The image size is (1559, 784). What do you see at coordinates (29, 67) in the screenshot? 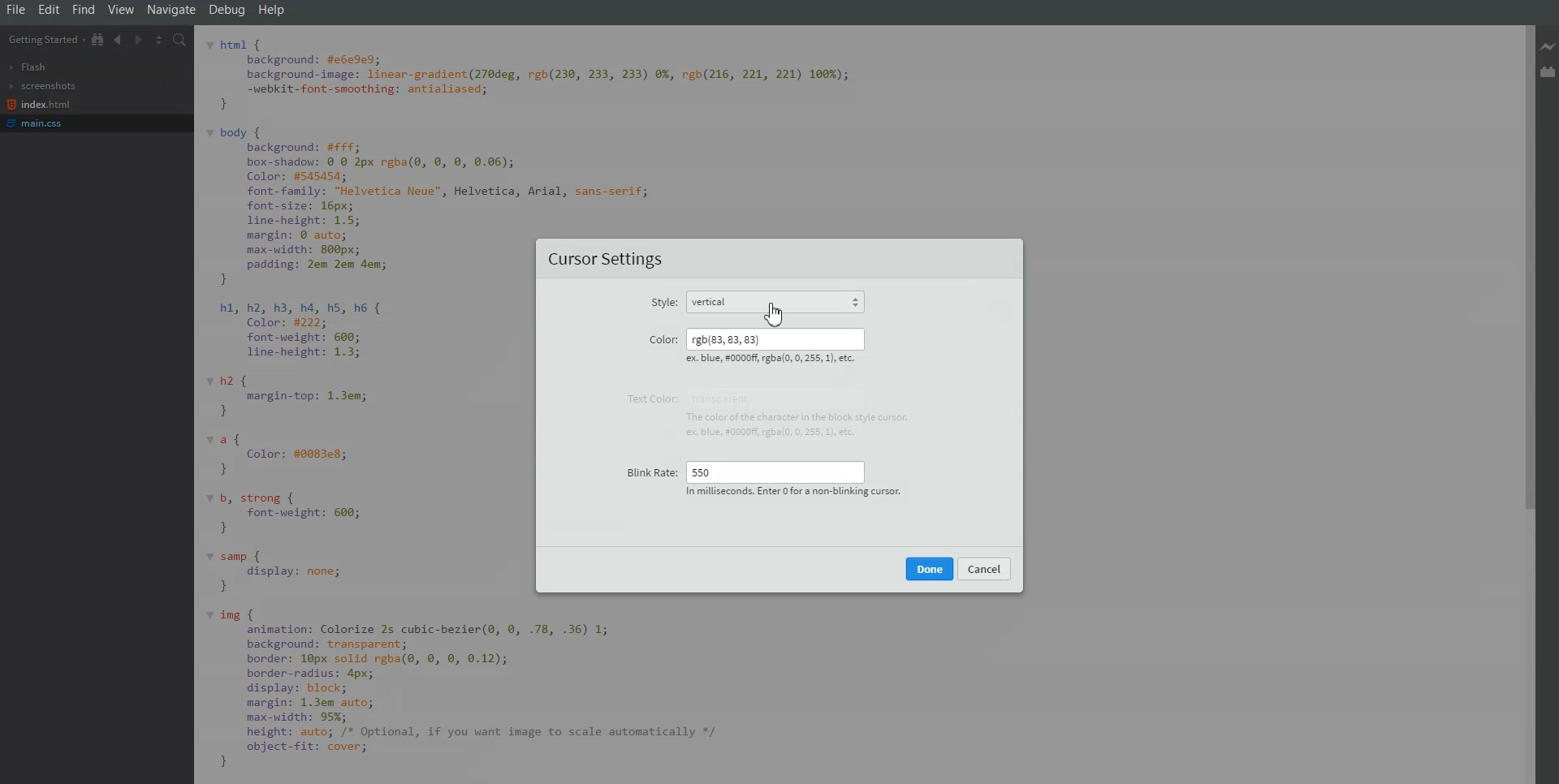
I see `Flash` at bounding box center [29, 67].